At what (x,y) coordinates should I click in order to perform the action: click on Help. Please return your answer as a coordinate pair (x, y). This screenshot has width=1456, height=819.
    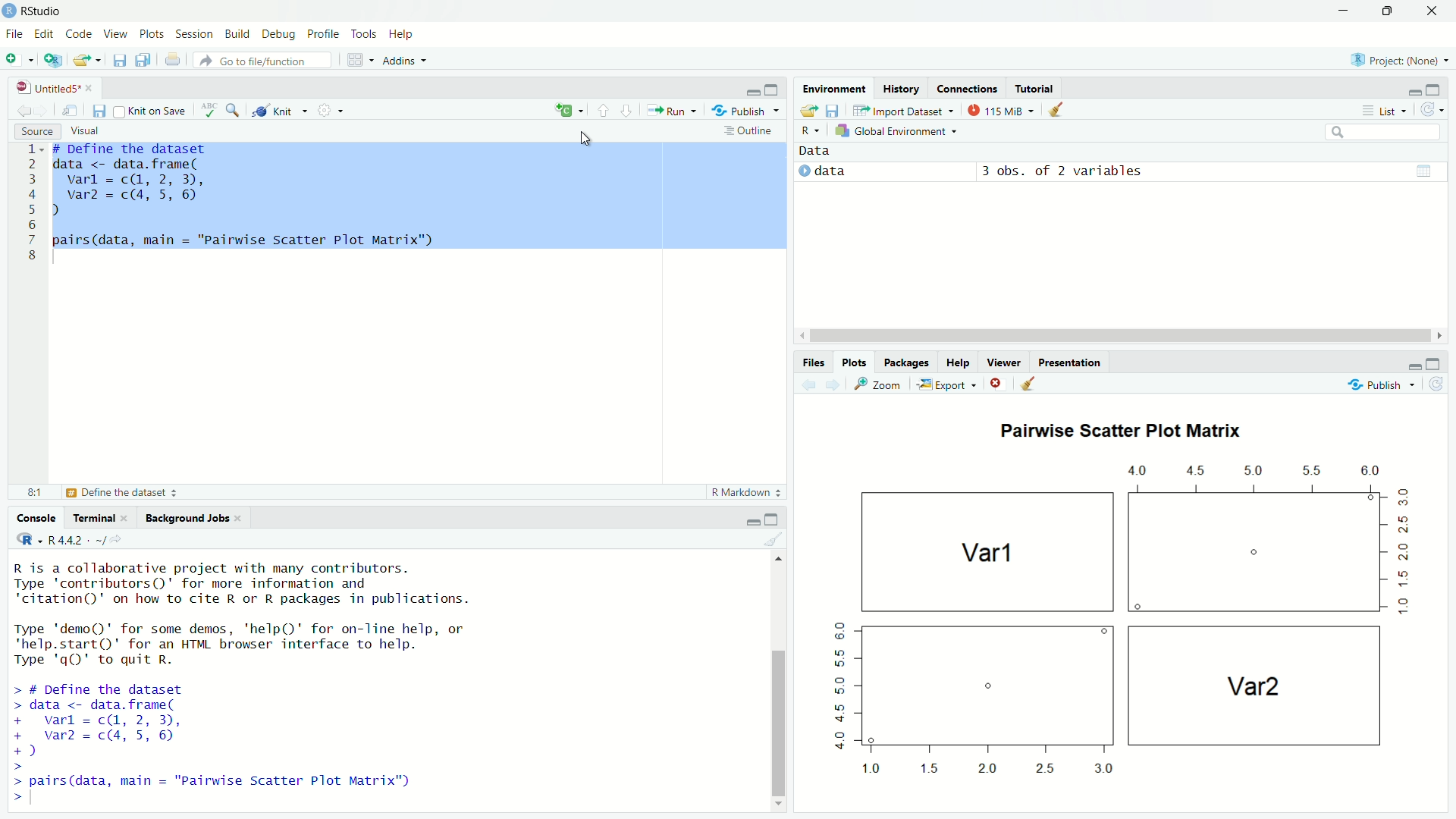
    Looking at the image, I should click on (959, 362).